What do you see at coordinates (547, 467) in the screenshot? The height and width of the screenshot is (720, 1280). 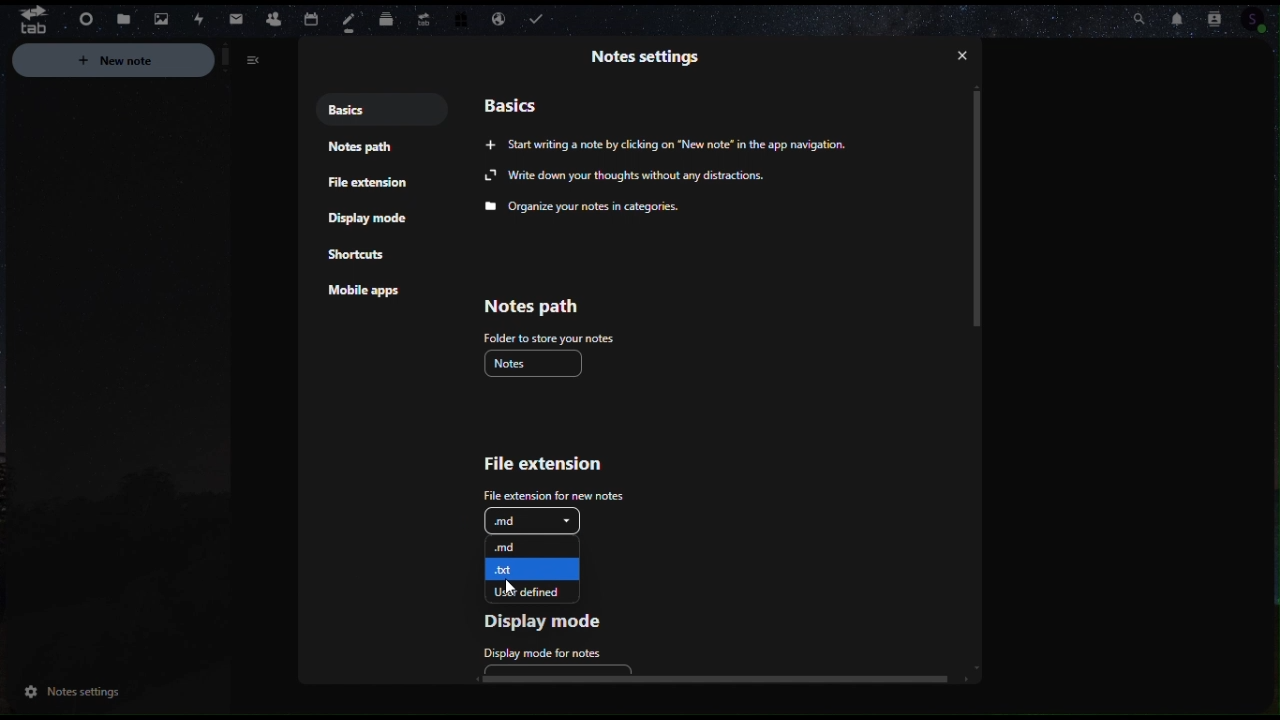 I see `File extension` at bounding box center [547, 467].